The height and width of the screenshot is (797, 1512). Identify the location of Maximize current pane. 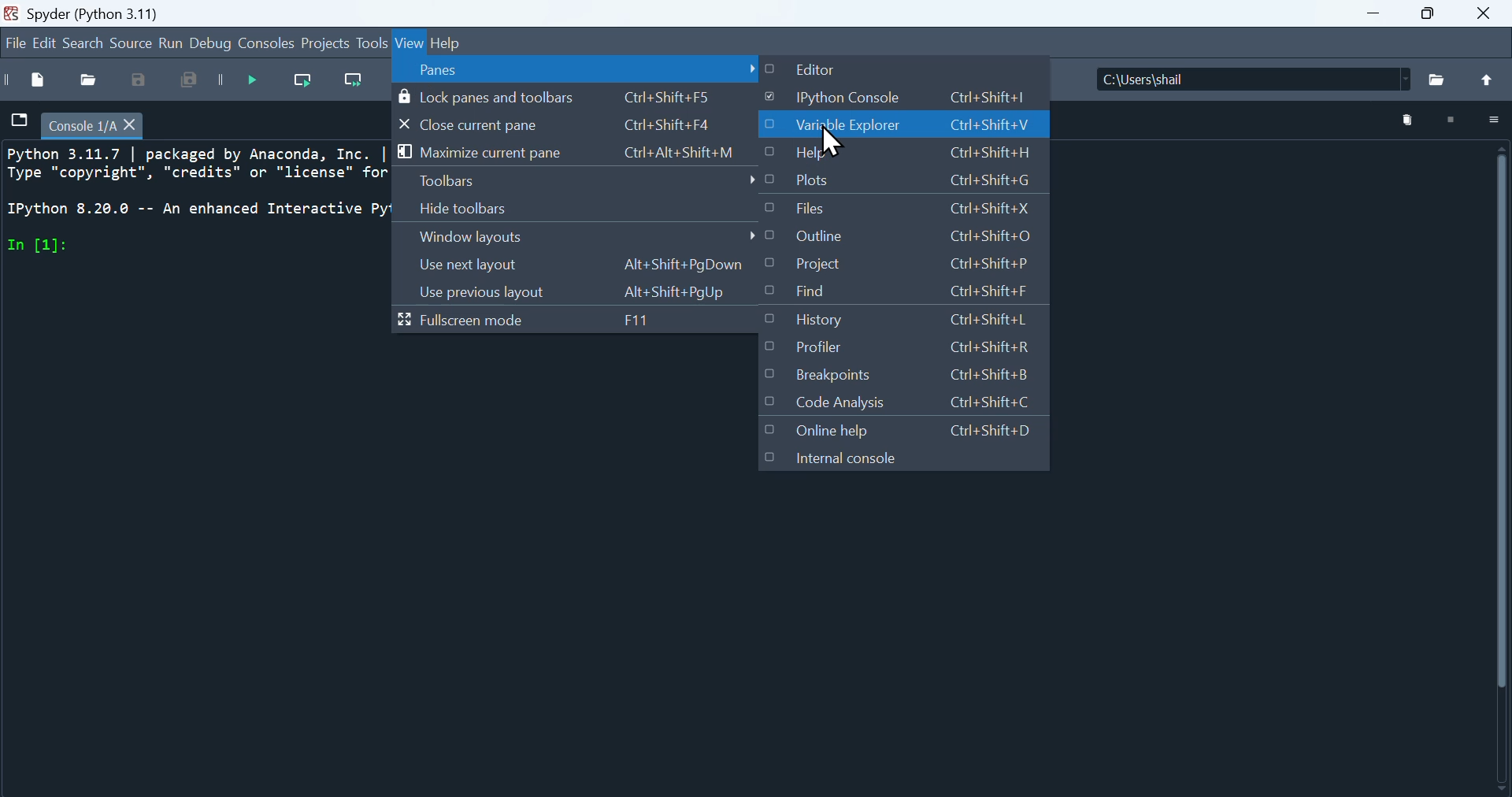
(565, 153).